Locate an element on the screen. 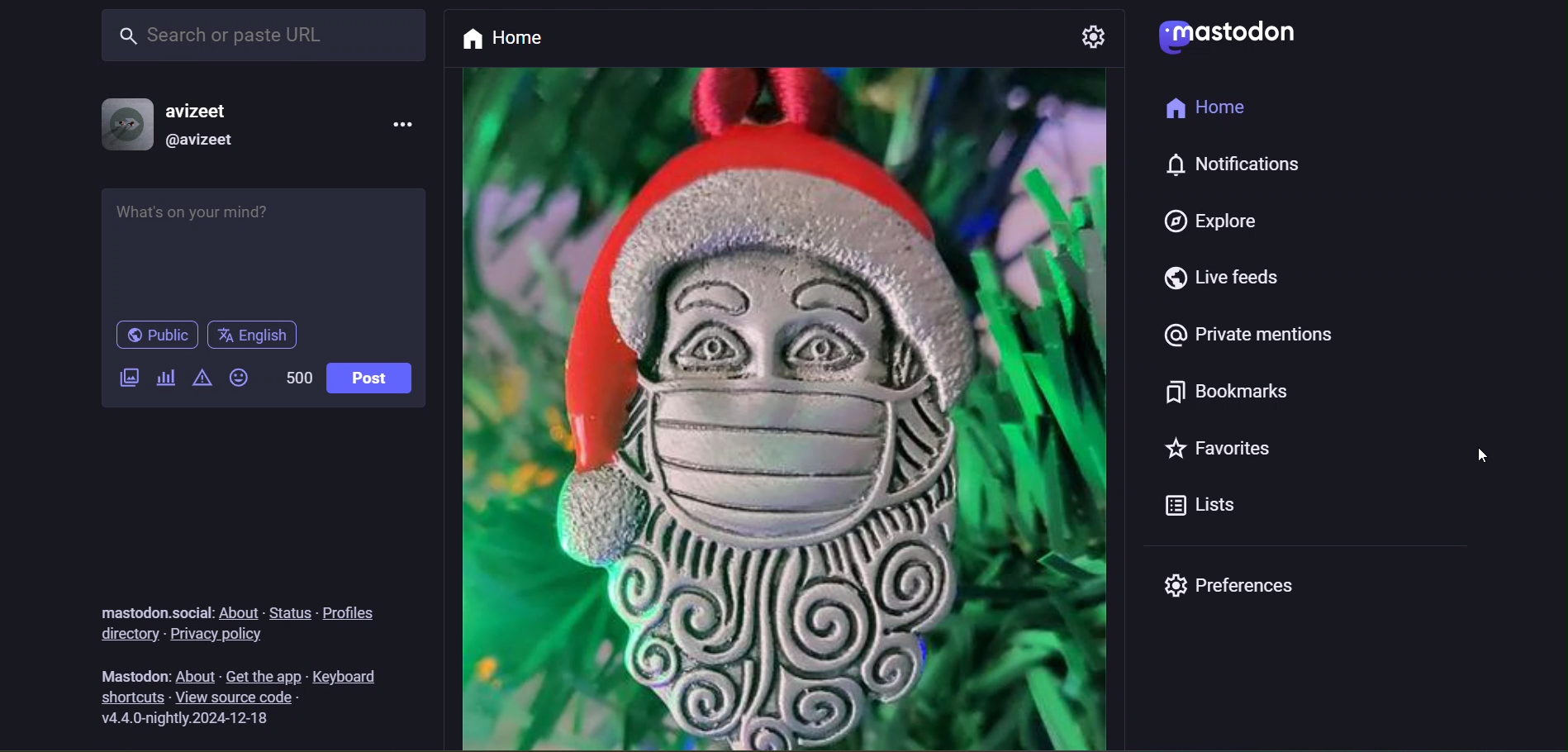 This screenshot has width=1568, height=752. text is located at coordinates (146, 605).